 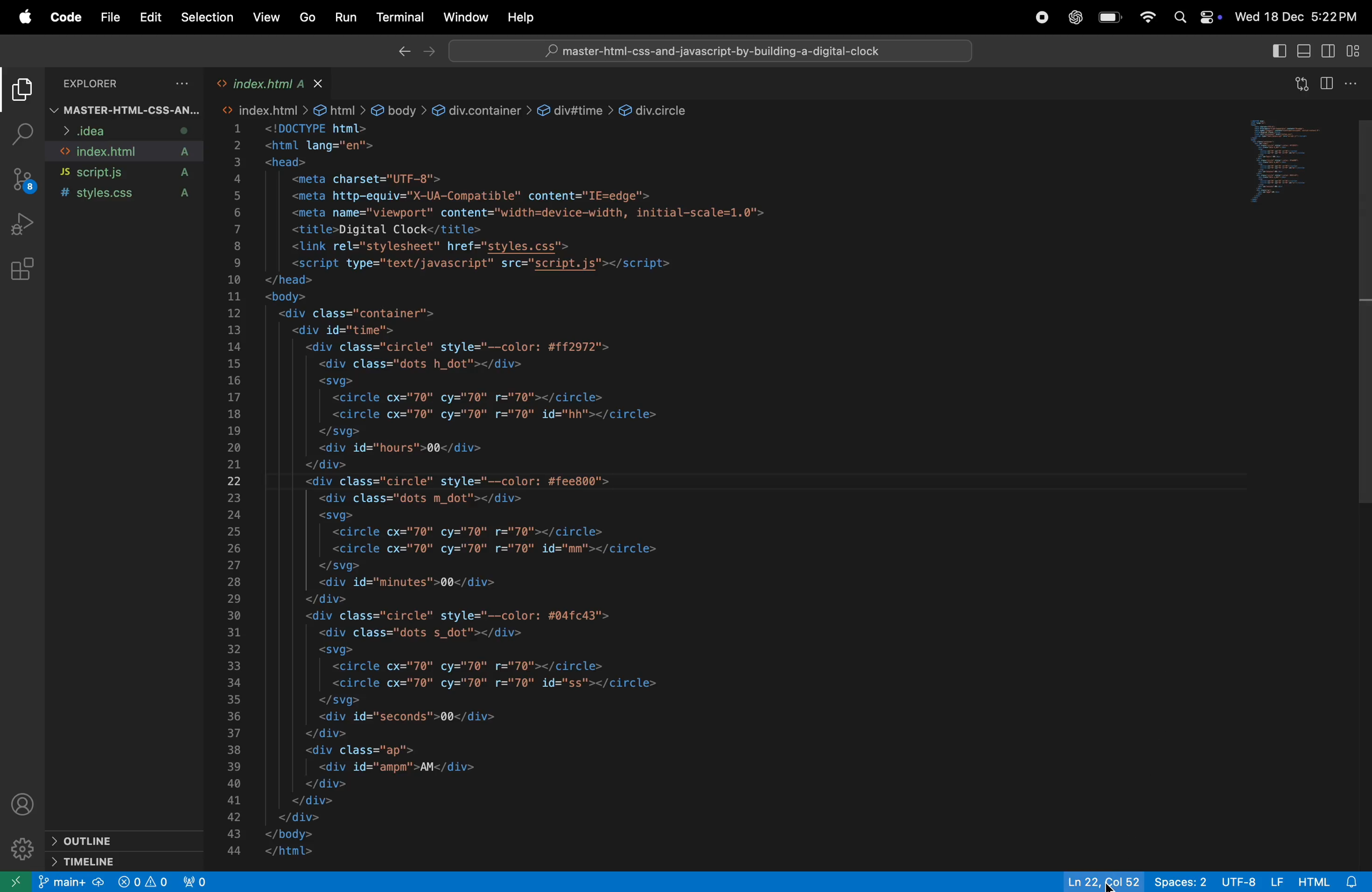 What do you see at coordinates (71, 882) in the screenshot?
I see `main +` at bounding box center [71, 882].